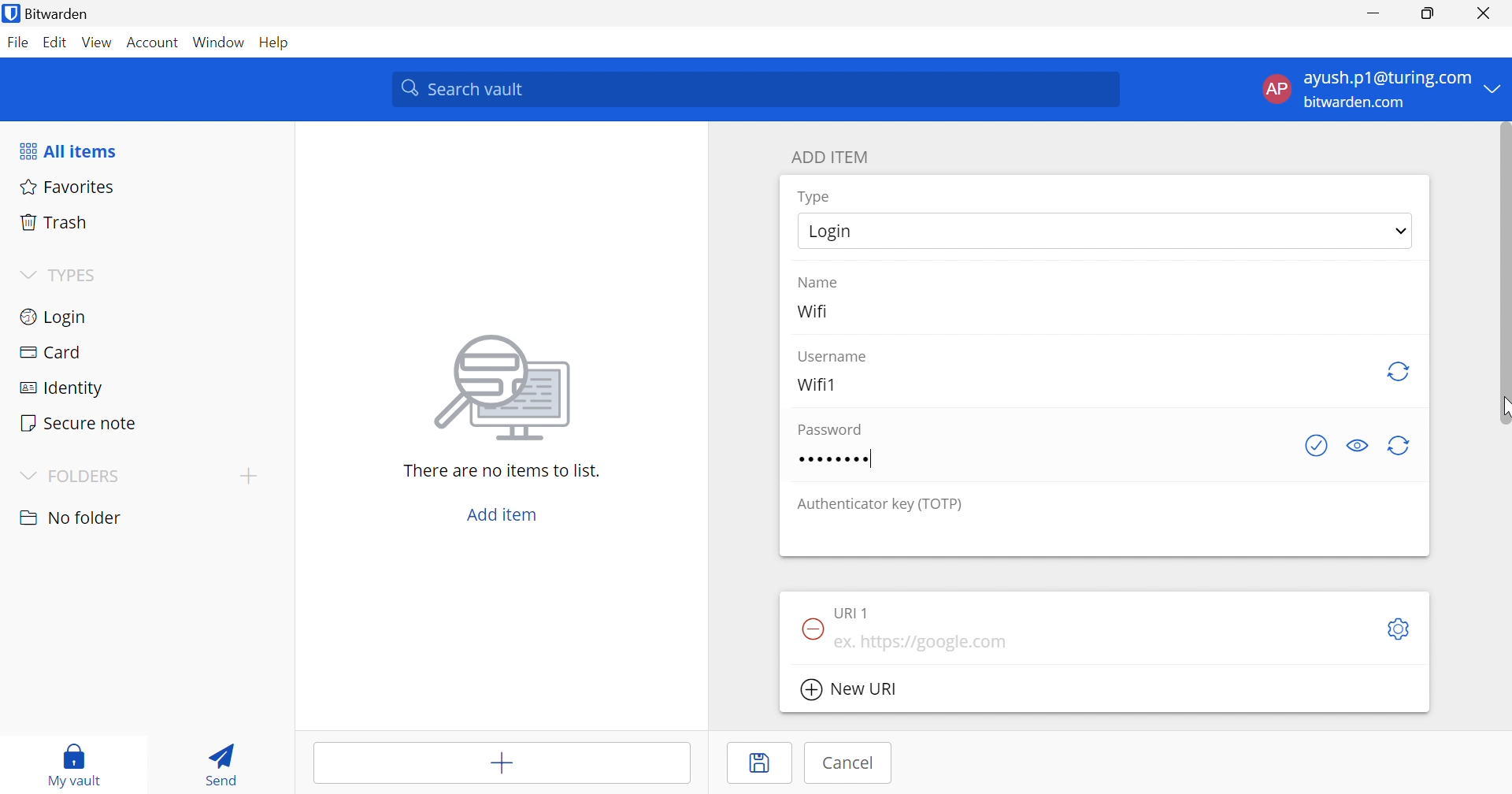  I want to click on FOLDERS, so click(87, 477).